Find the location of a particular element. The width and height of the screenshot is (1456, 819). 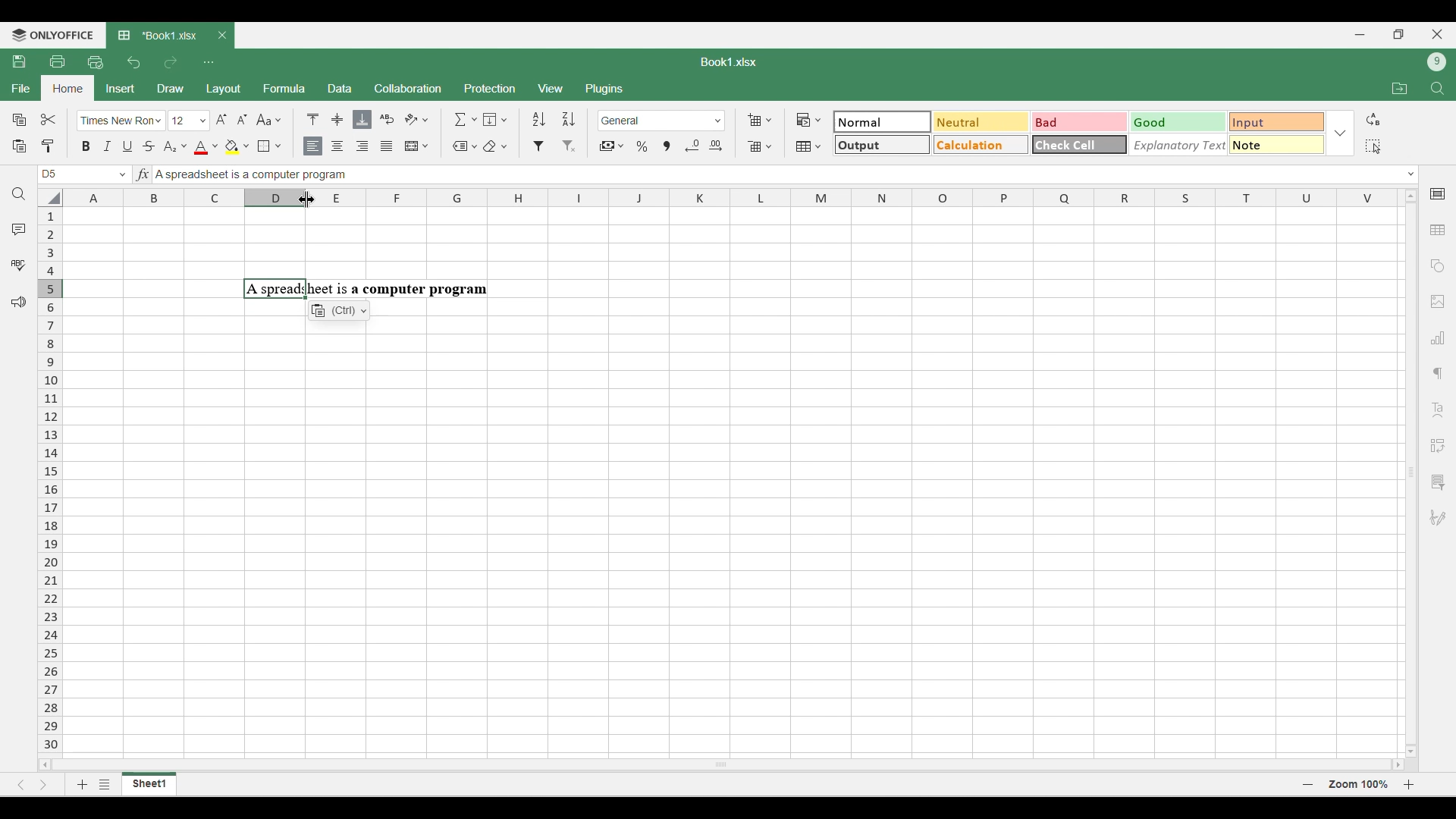

Zoom out is located at coordinates (1308, 784).